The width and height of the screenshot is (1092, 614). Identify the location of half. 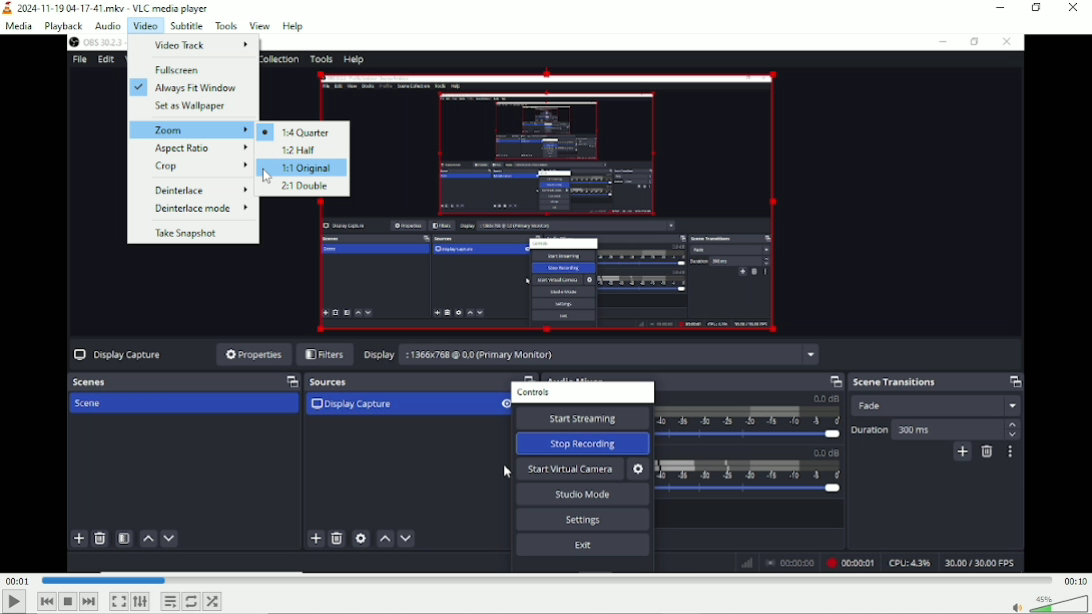
(299, 149).